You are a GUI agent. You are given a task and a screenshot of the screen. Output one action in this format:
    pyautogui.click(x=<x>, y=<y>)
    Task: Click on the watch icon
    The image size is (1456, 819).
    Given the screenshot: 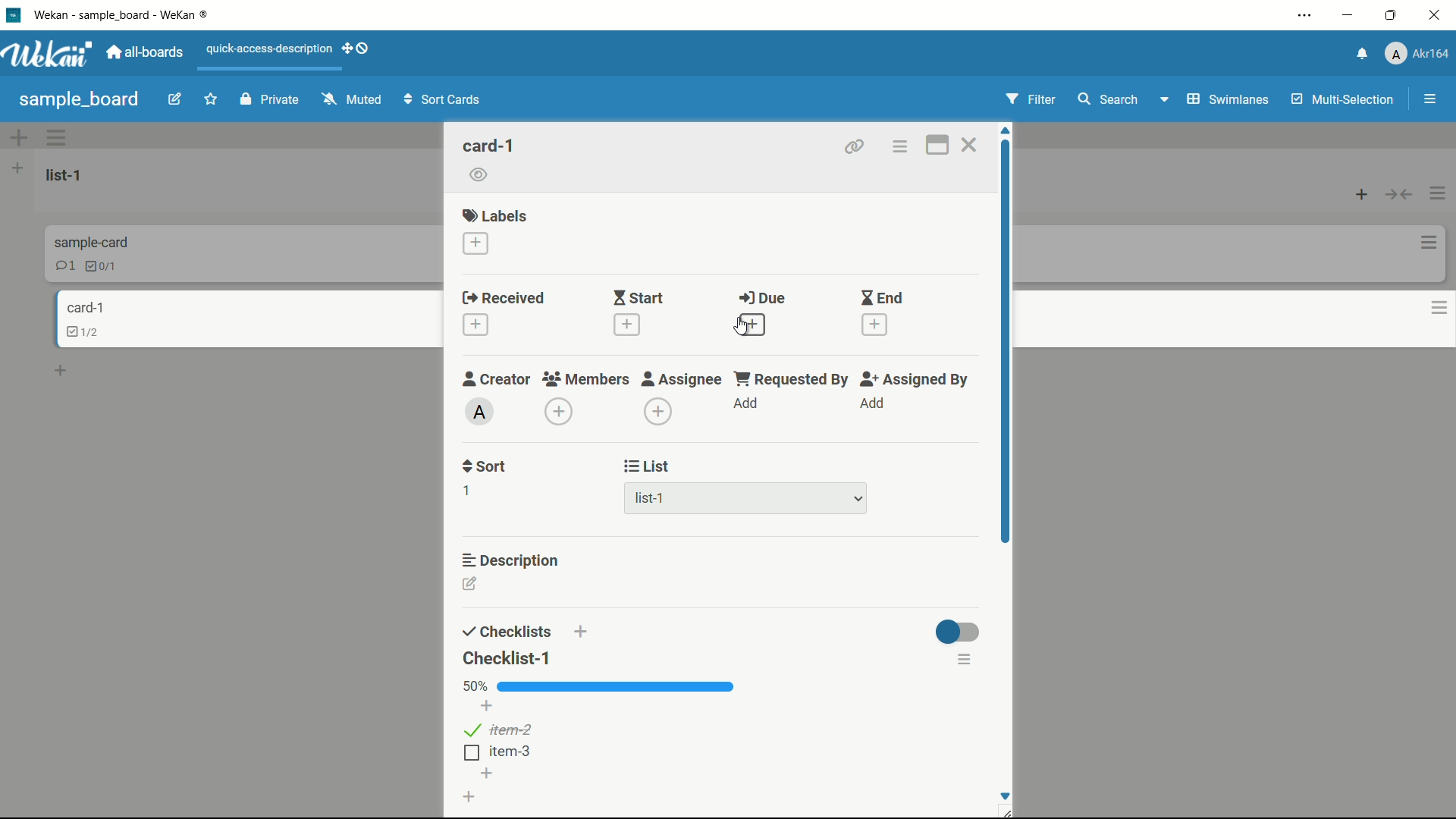 What is the action you would take?
    pyautogui.click(x=479, y=174)
    